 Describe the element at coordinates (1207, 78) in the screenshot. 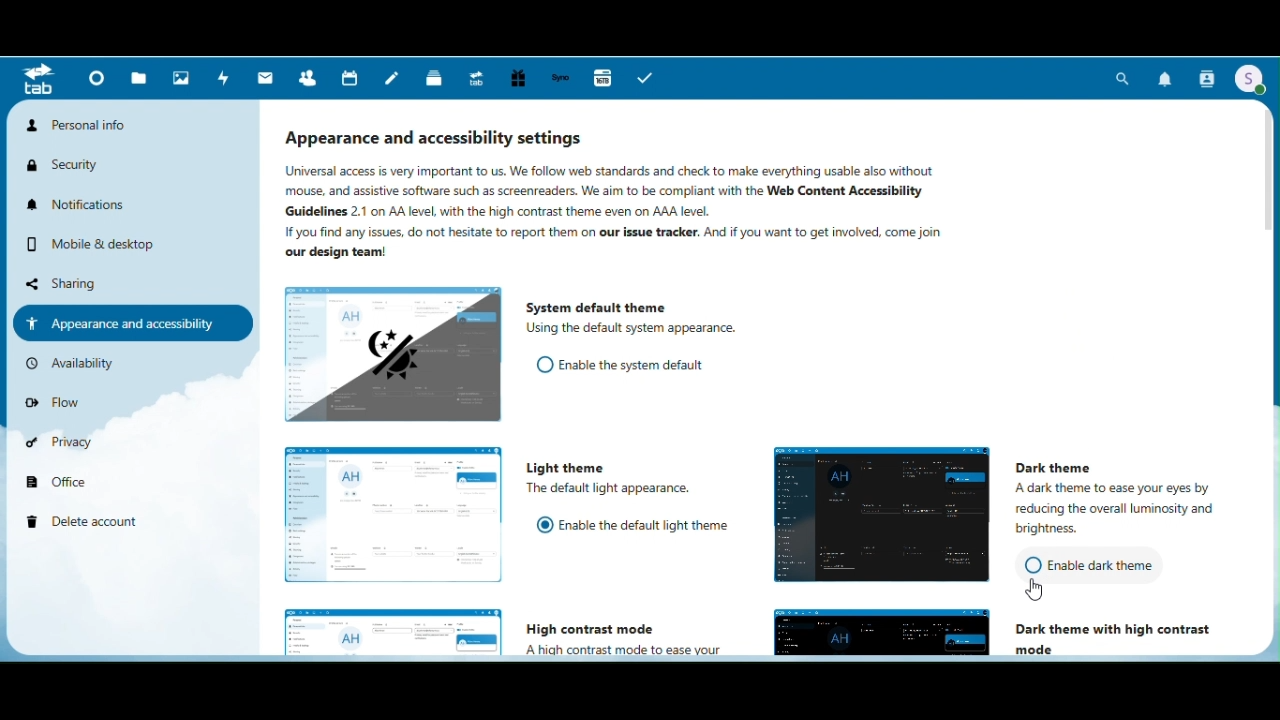

I see `Contacts` at that location.